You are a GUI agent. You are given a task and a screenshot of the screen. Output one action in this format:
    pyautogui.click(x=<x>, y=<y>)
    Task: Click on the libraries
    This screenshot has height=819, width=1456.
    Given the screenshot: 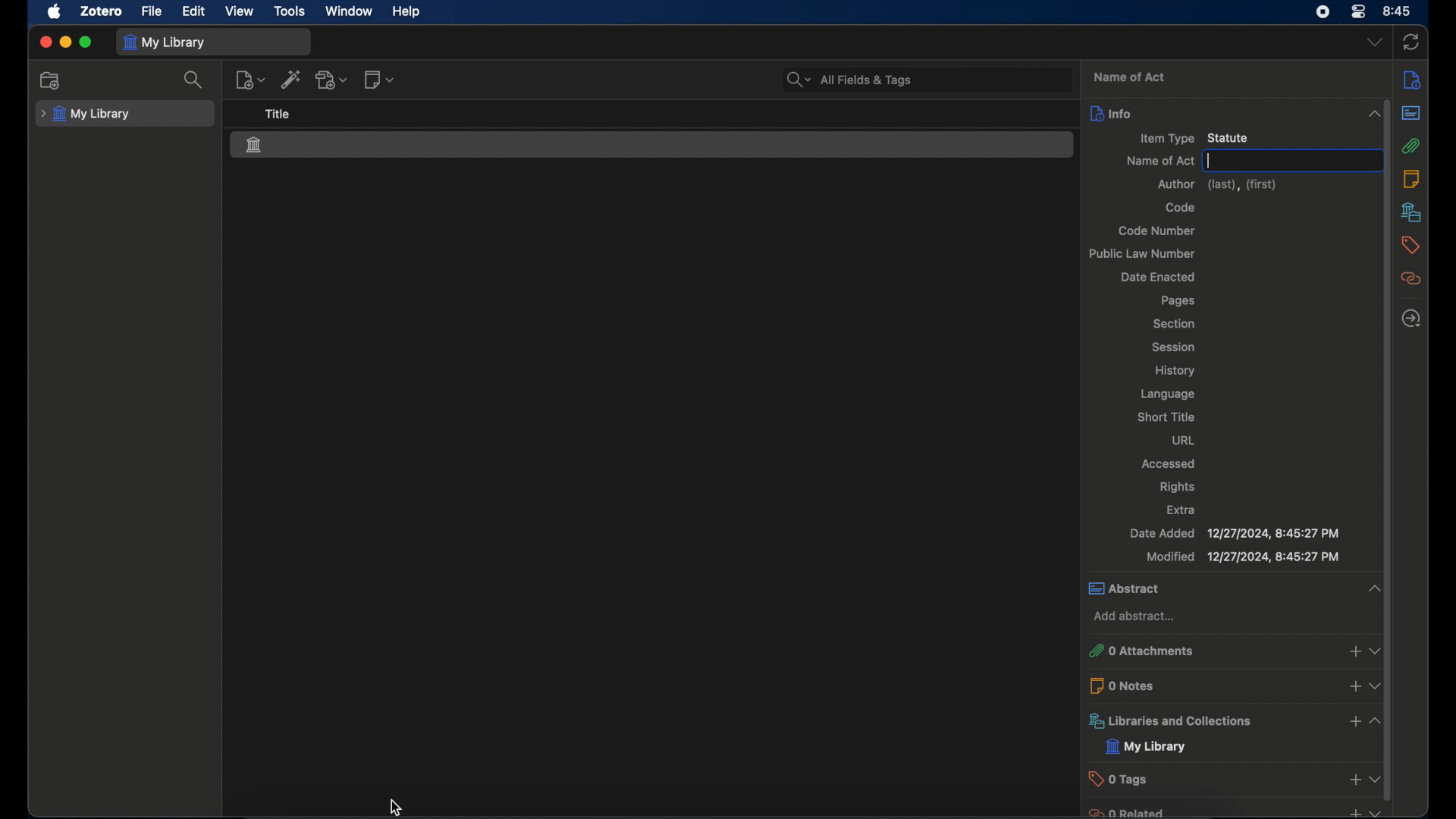 What is the action you would take?
    pyautogui.click(x=1410, y=212)
    